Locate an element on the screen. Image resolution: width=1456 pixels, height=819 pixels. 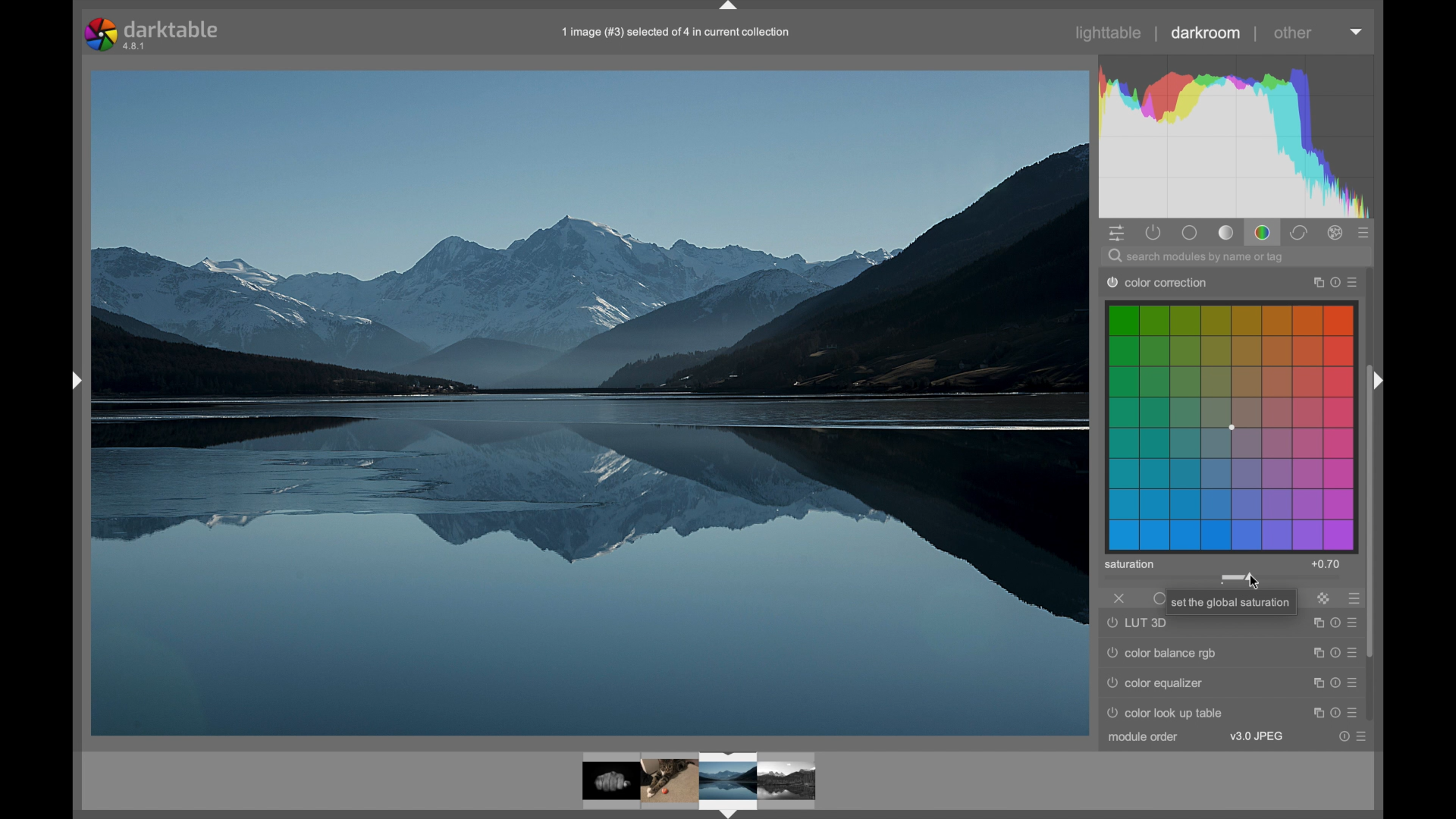
options is located at coordinates (1335, 682).